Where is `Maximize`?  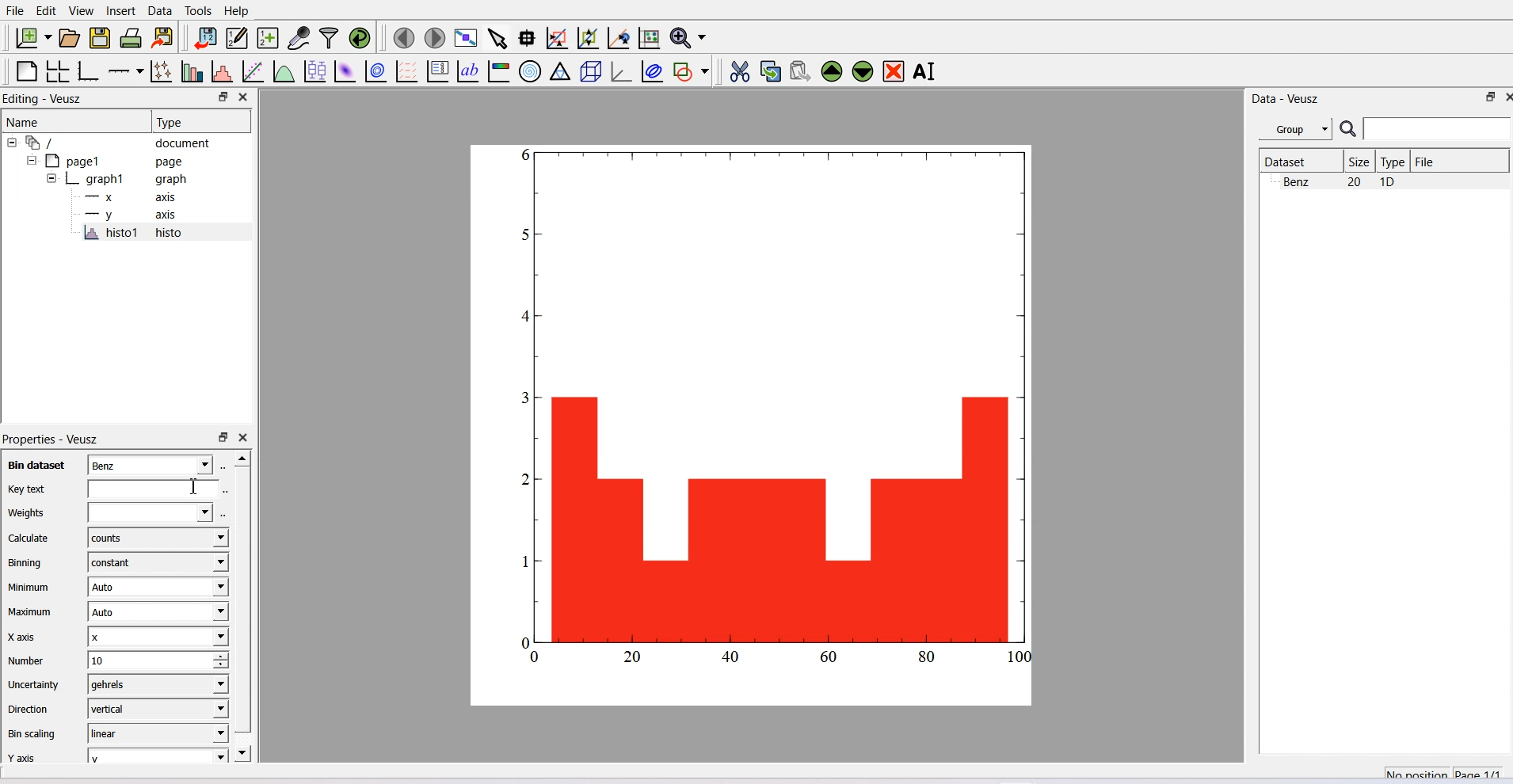
Maximize is located at coordinates (223, 438).